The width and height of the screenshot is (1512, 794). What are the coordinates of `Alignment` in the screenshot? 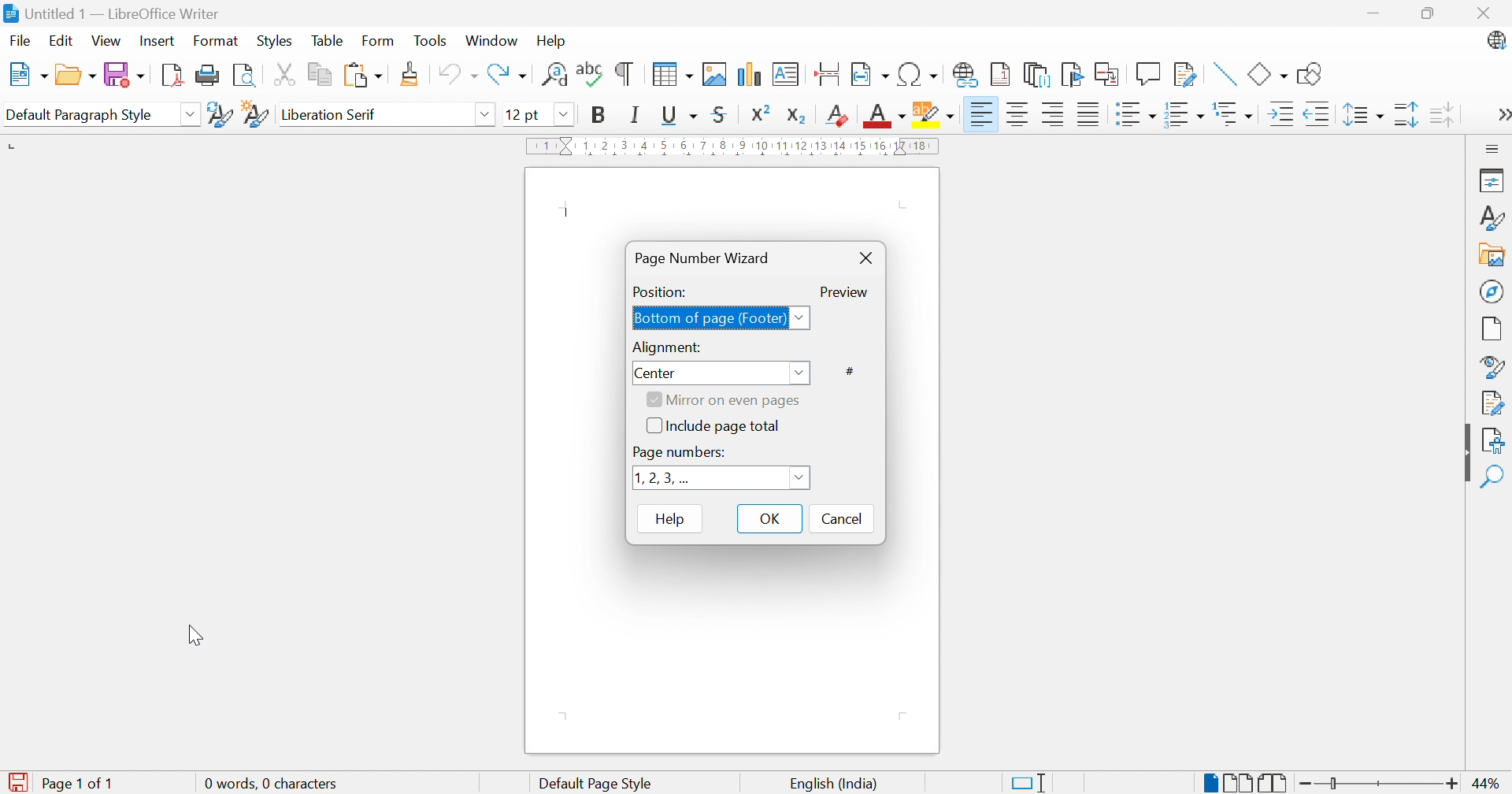 It's located at (669, 348).